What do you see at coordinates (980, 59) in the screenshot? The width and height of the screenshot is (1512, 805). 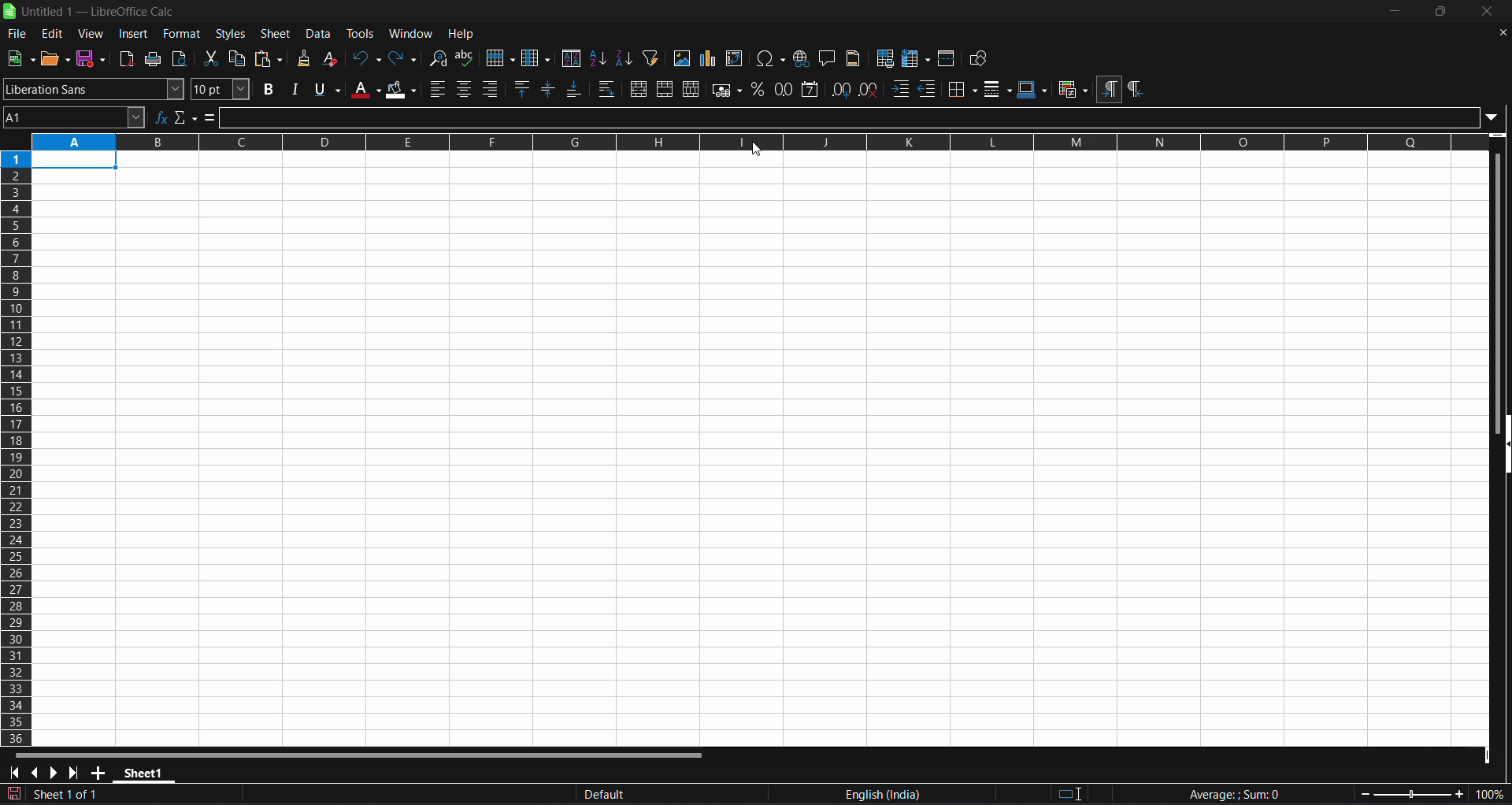 I see `show draw functions` at bounding box center [980, 59].